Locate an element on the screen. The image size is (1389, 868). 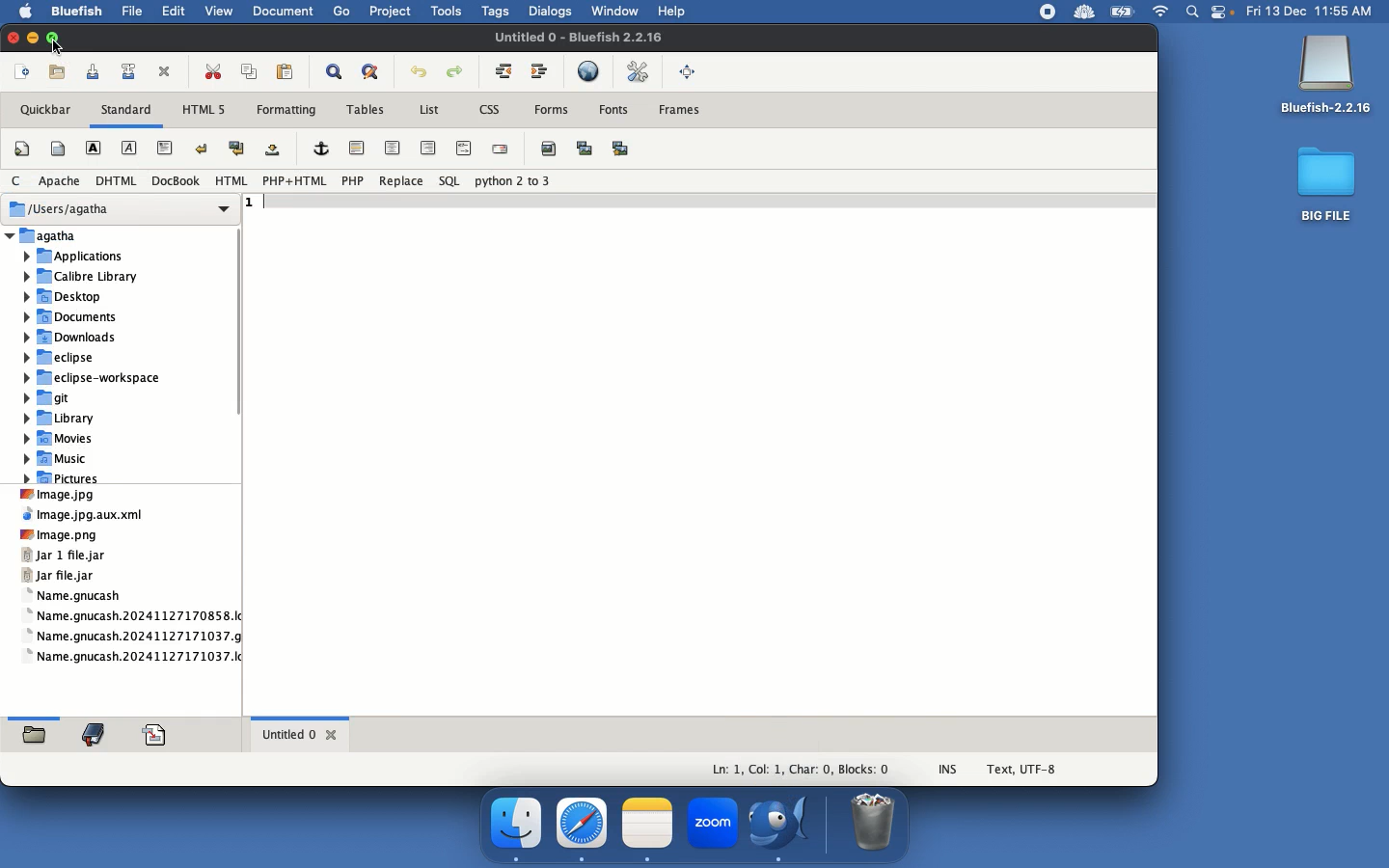
DocBook is located at coordinates (177, 182).